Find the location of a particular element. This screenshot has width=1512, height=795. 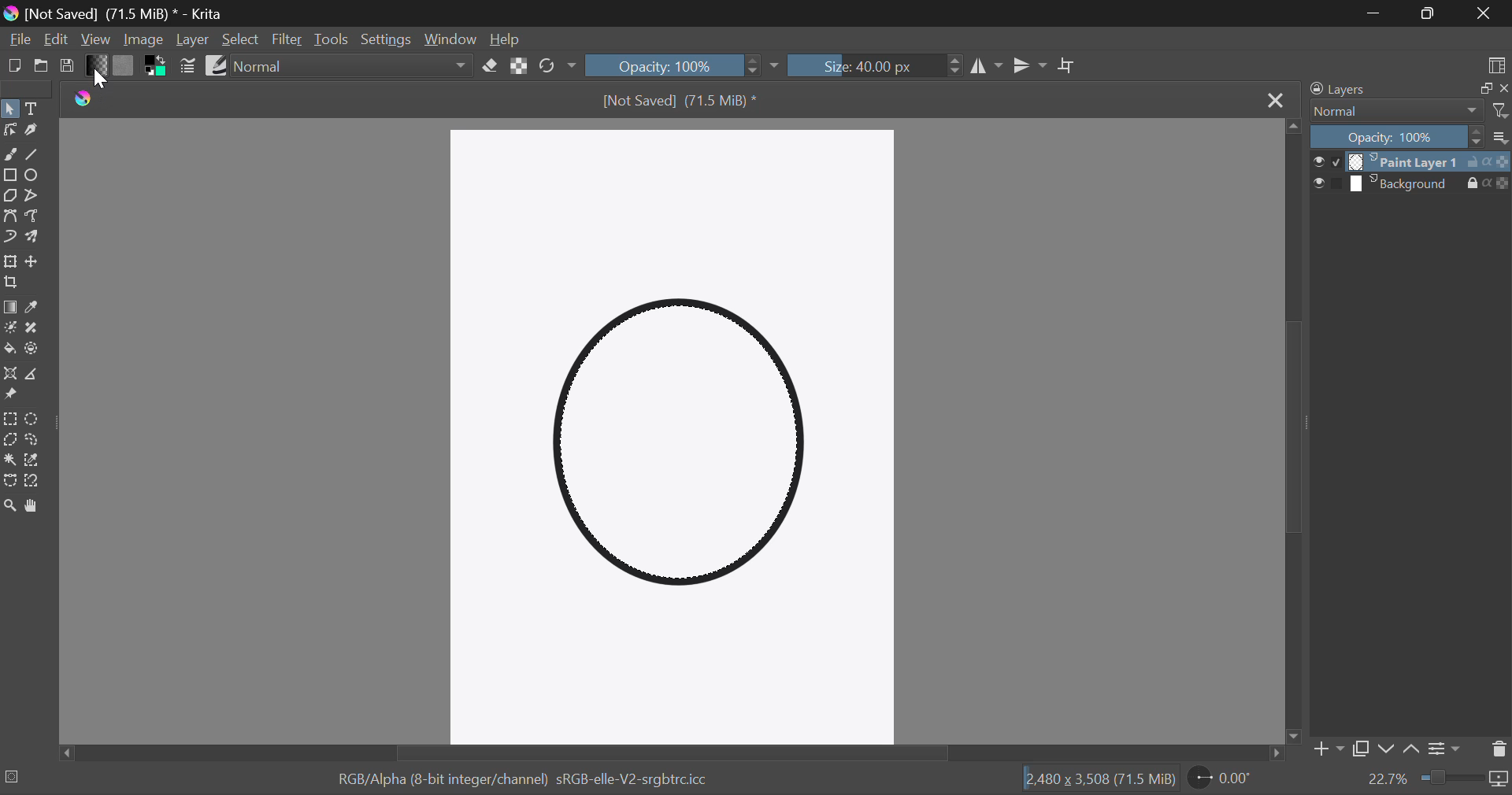

Blending Modes is located at coordinates (350, 65).